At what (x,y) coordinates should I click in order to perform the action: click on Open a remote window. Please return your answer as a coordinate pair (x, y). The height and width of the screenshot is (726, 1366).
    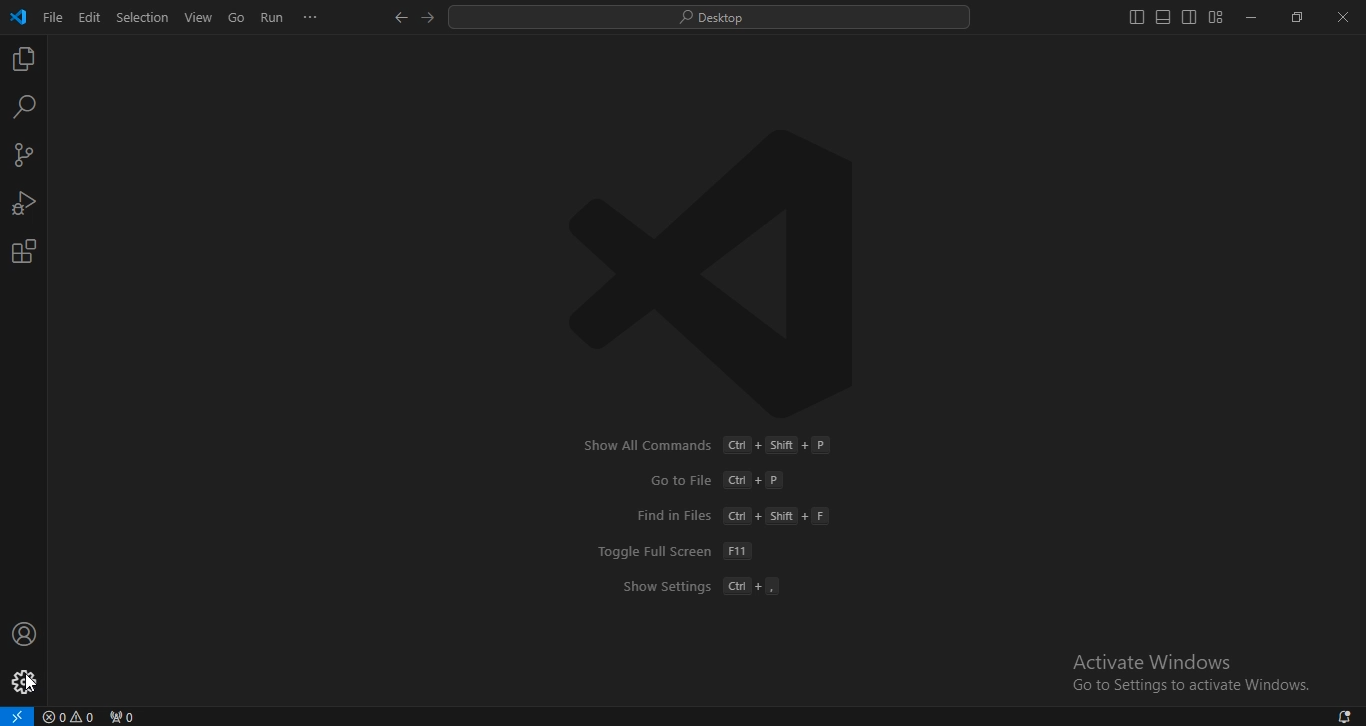
    Looking at the image, I should click on (18, 715).